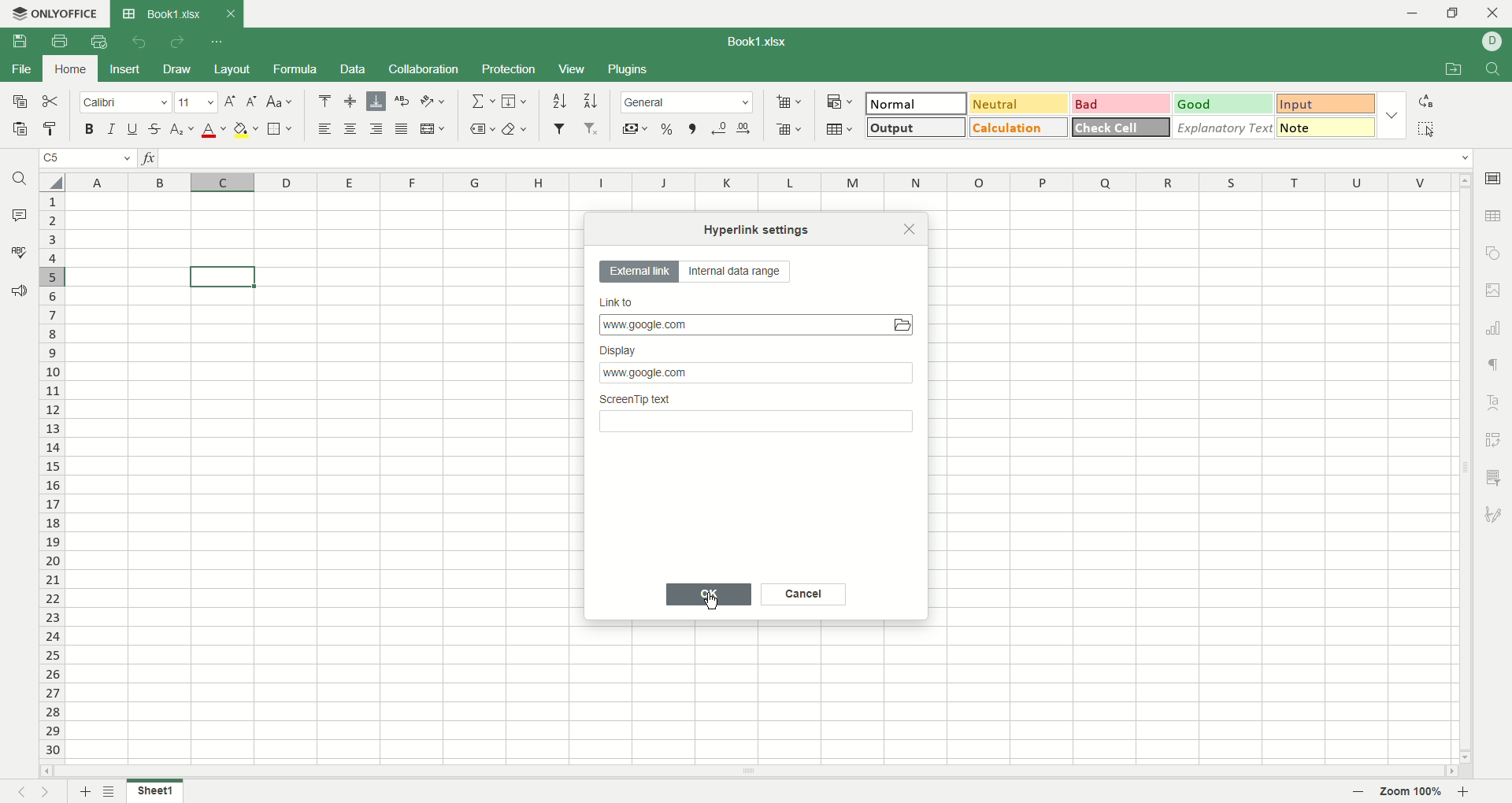  I want to click on plugins, so click(630, 70).